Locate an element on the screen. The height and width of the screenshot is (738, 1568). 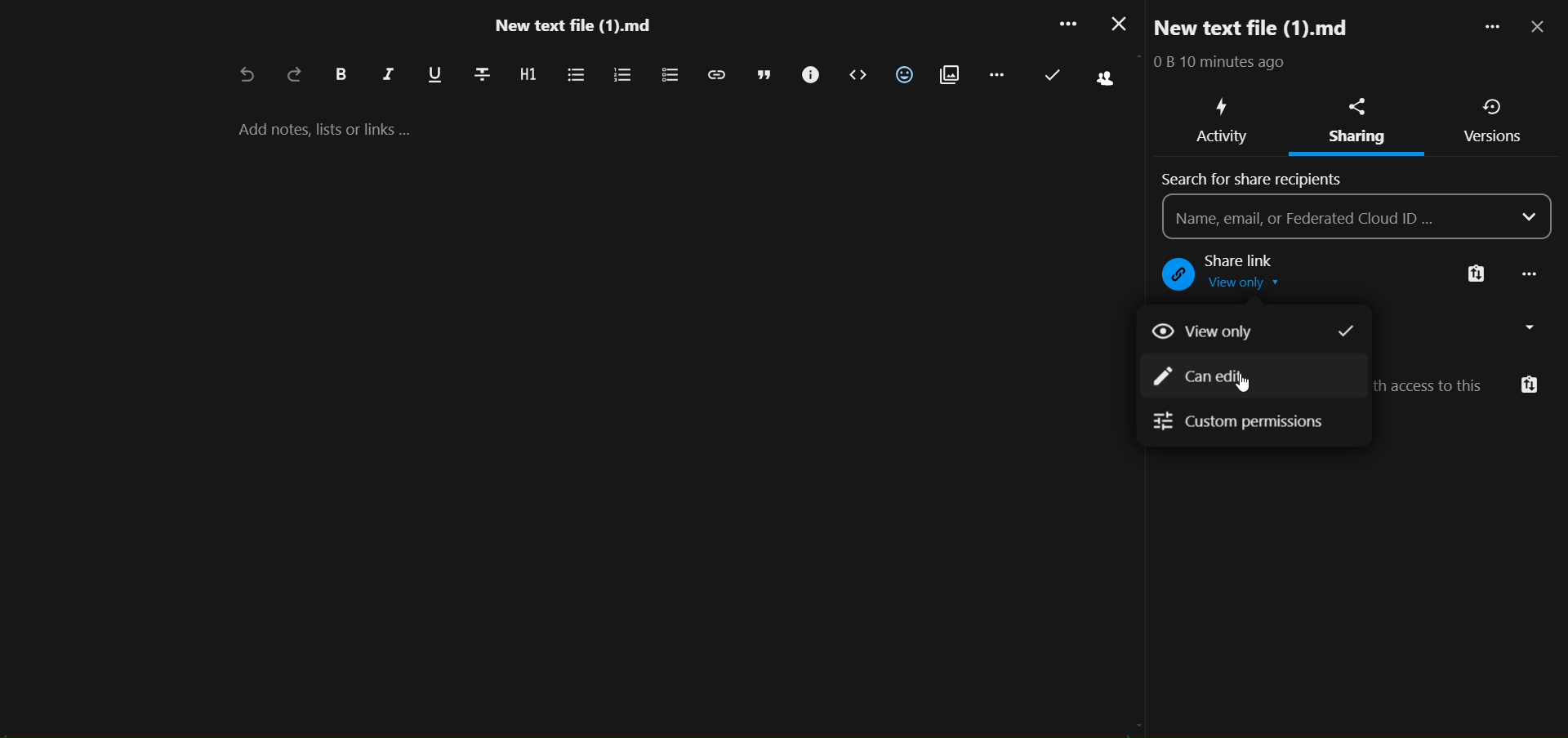
version is located at coordinates (1494, 108).